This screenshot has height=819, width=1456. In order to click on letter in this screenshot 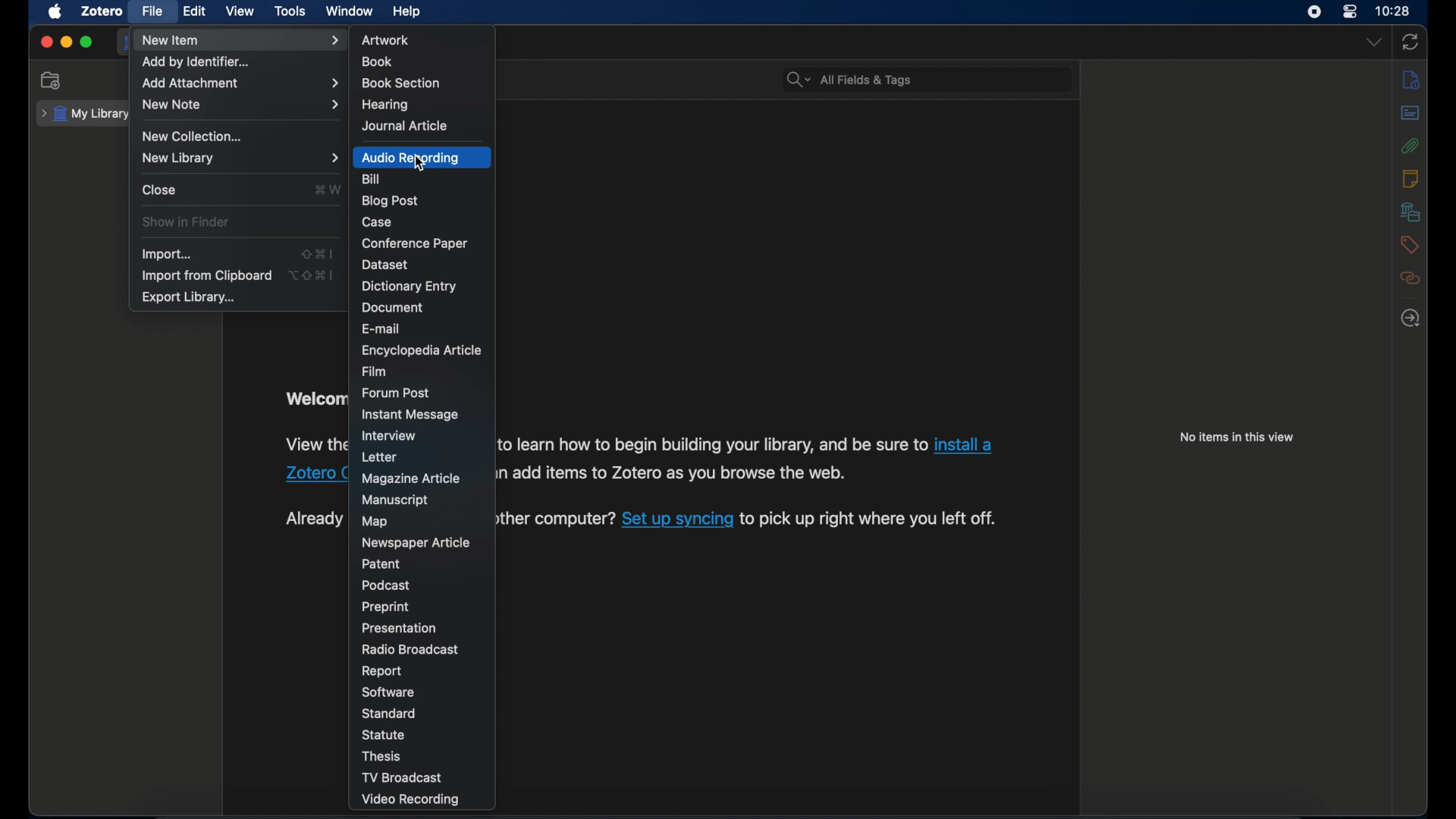, I will do `click(381, 457)`.